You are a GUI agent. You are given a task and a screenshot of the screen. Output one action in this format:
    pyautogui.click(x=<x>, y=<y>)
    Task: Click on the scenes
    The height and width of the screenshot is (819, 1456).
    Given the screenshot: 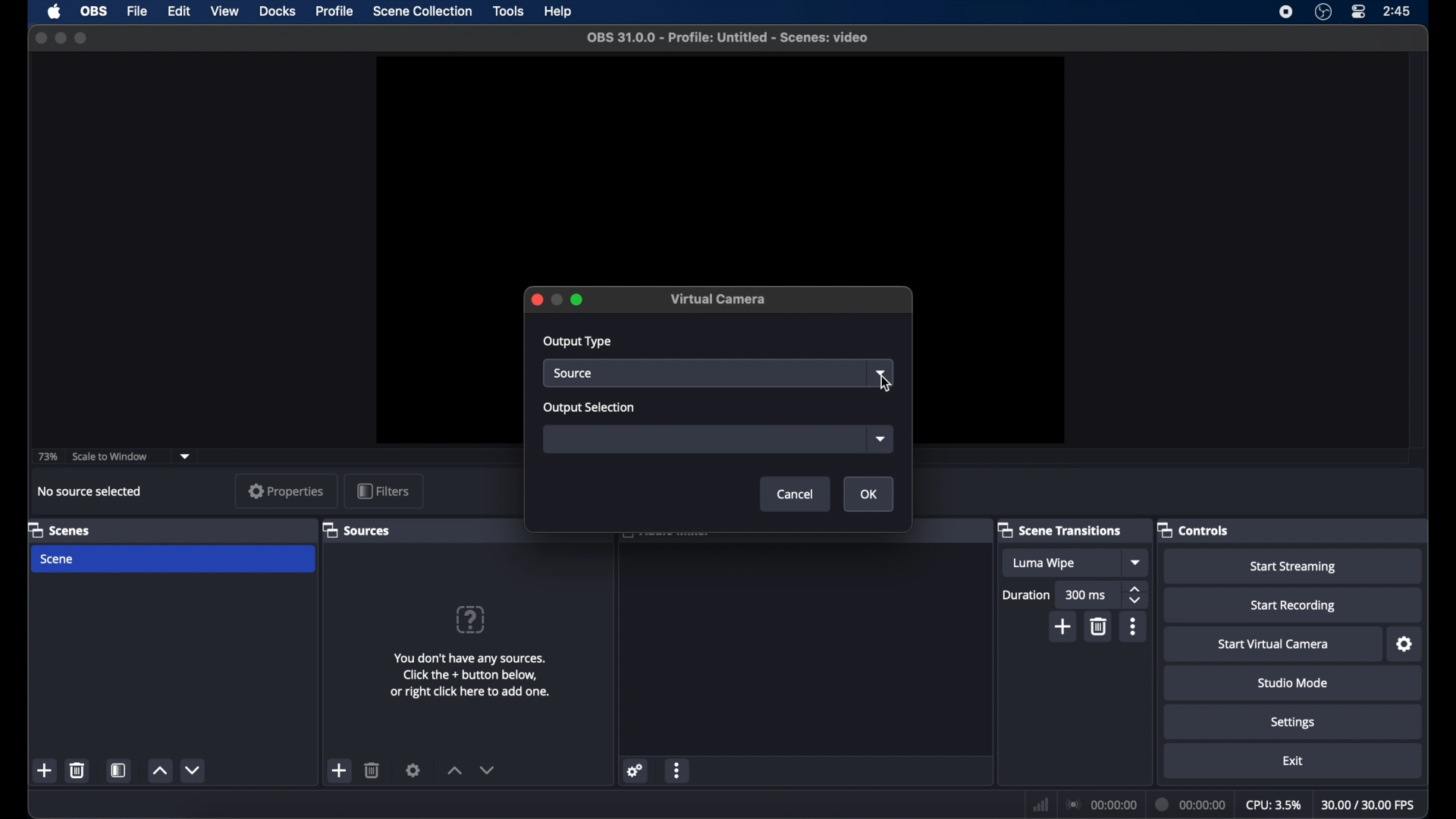 What is the action you would take?
    pyautogui.click(x=58, y=529)
    